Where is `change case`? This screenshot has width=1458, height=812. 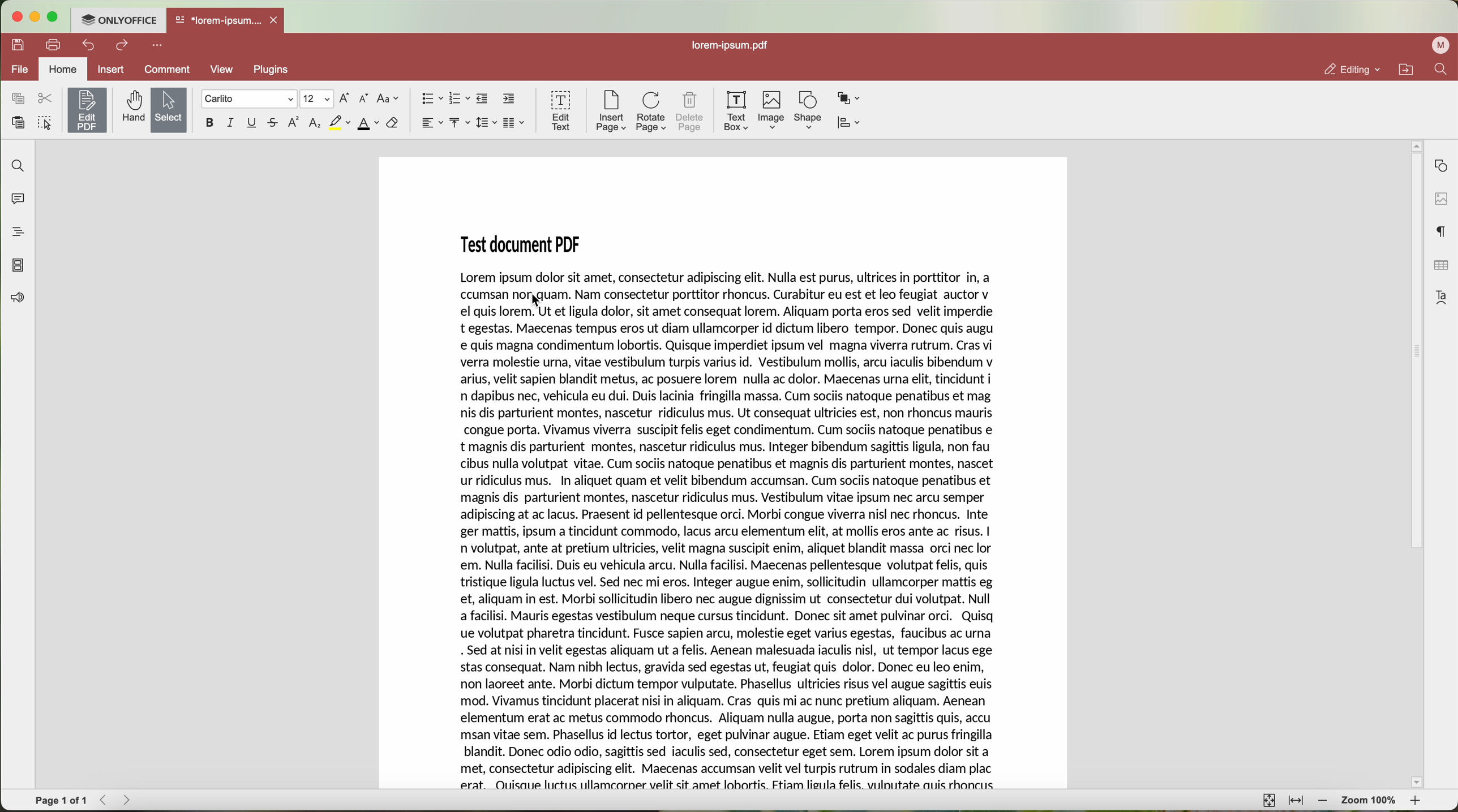
change case is located at coordinates (389, 98).